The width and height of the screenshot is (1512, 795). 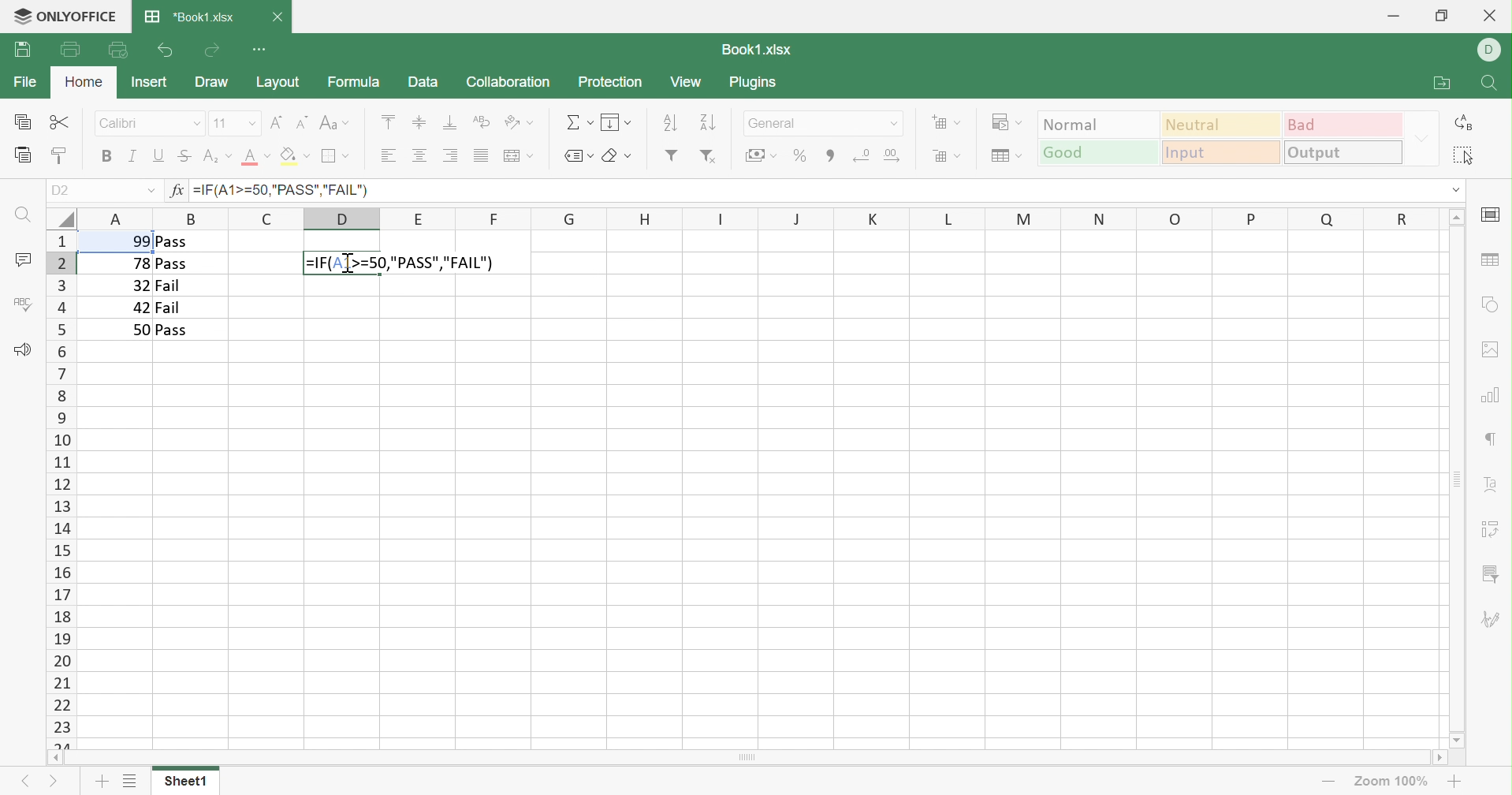 What do you see at coordinates (1004, 156) in the screenshot?
I see `Format as table template` at bounding box center [1004, 156].